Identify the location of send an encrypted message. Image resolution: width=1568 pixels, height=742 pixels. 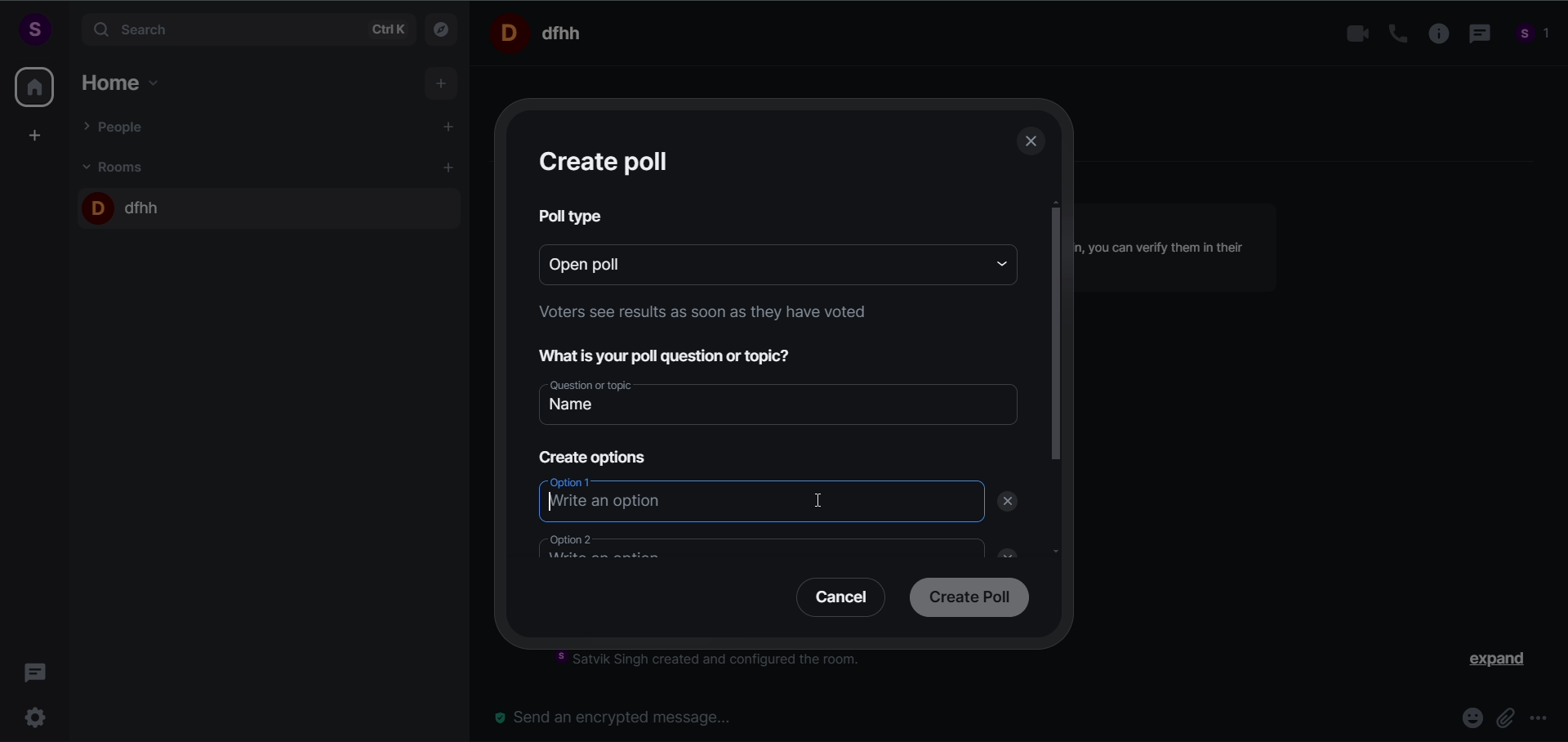
(621, 717).